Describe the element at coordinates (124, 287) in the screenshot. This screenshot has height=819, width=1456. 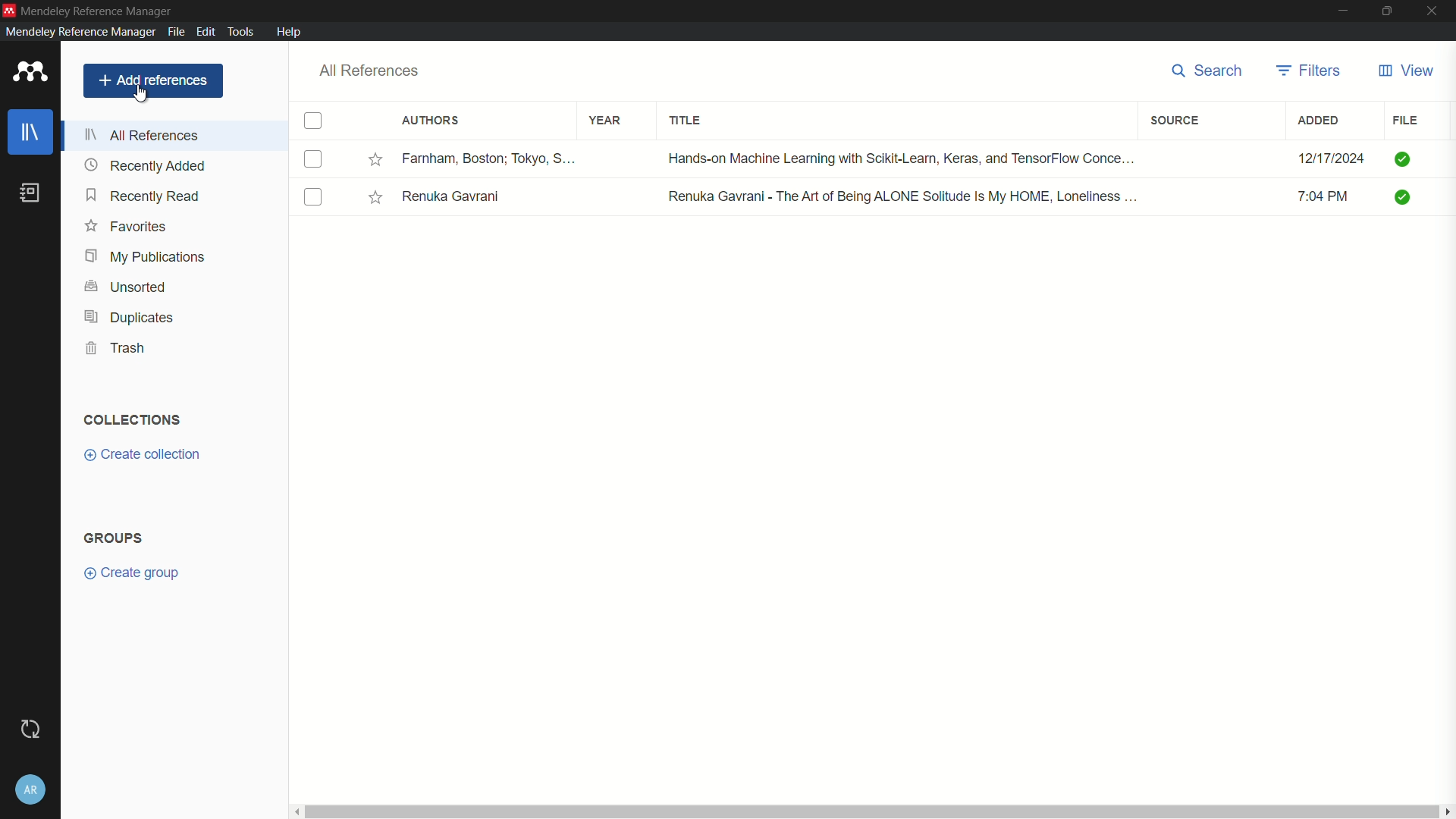
I see `unsorted` at that location.